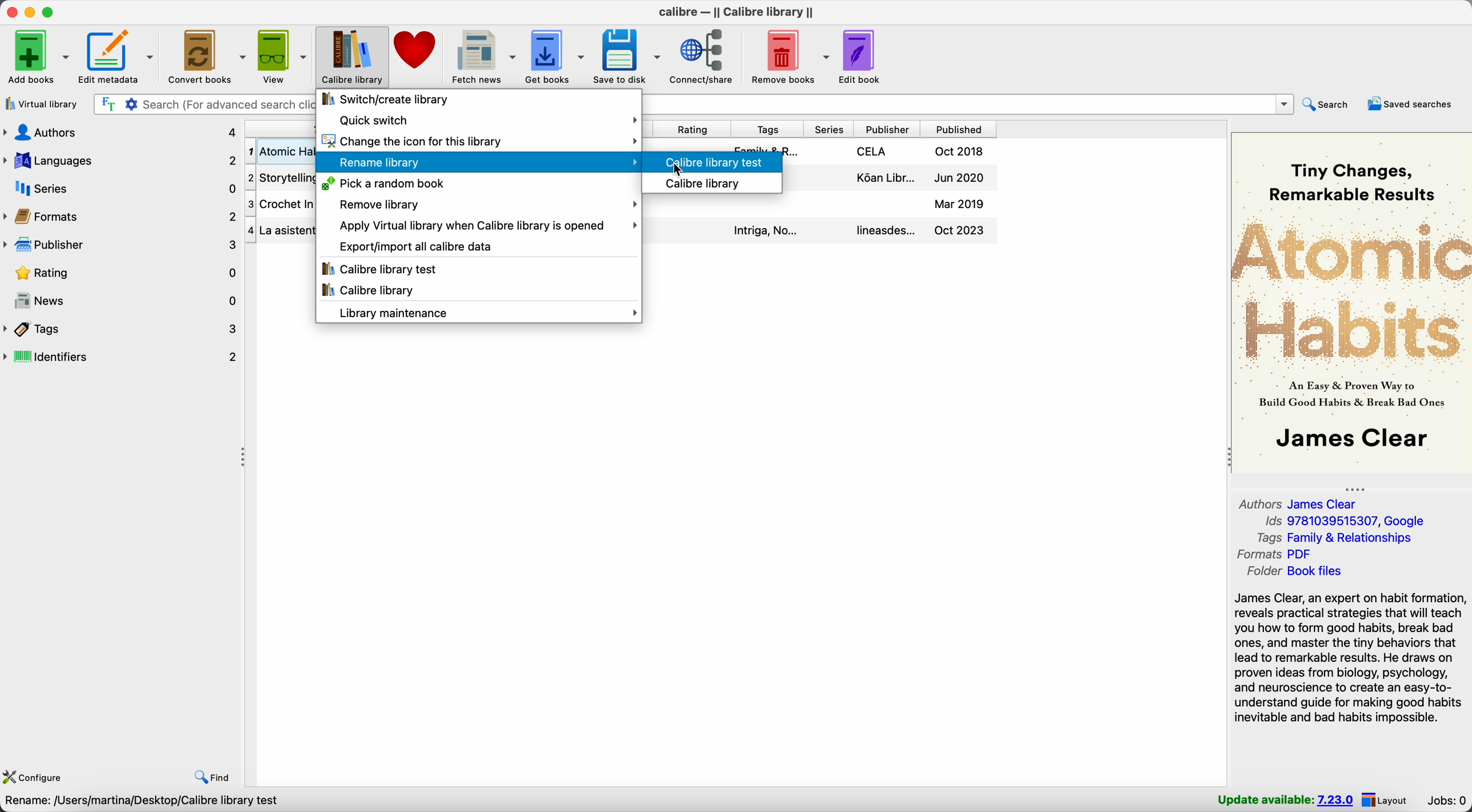  What do you see at coordinates (477, 162) in the screenshot?
I see `Rename library` at bounding box center [477, 162].